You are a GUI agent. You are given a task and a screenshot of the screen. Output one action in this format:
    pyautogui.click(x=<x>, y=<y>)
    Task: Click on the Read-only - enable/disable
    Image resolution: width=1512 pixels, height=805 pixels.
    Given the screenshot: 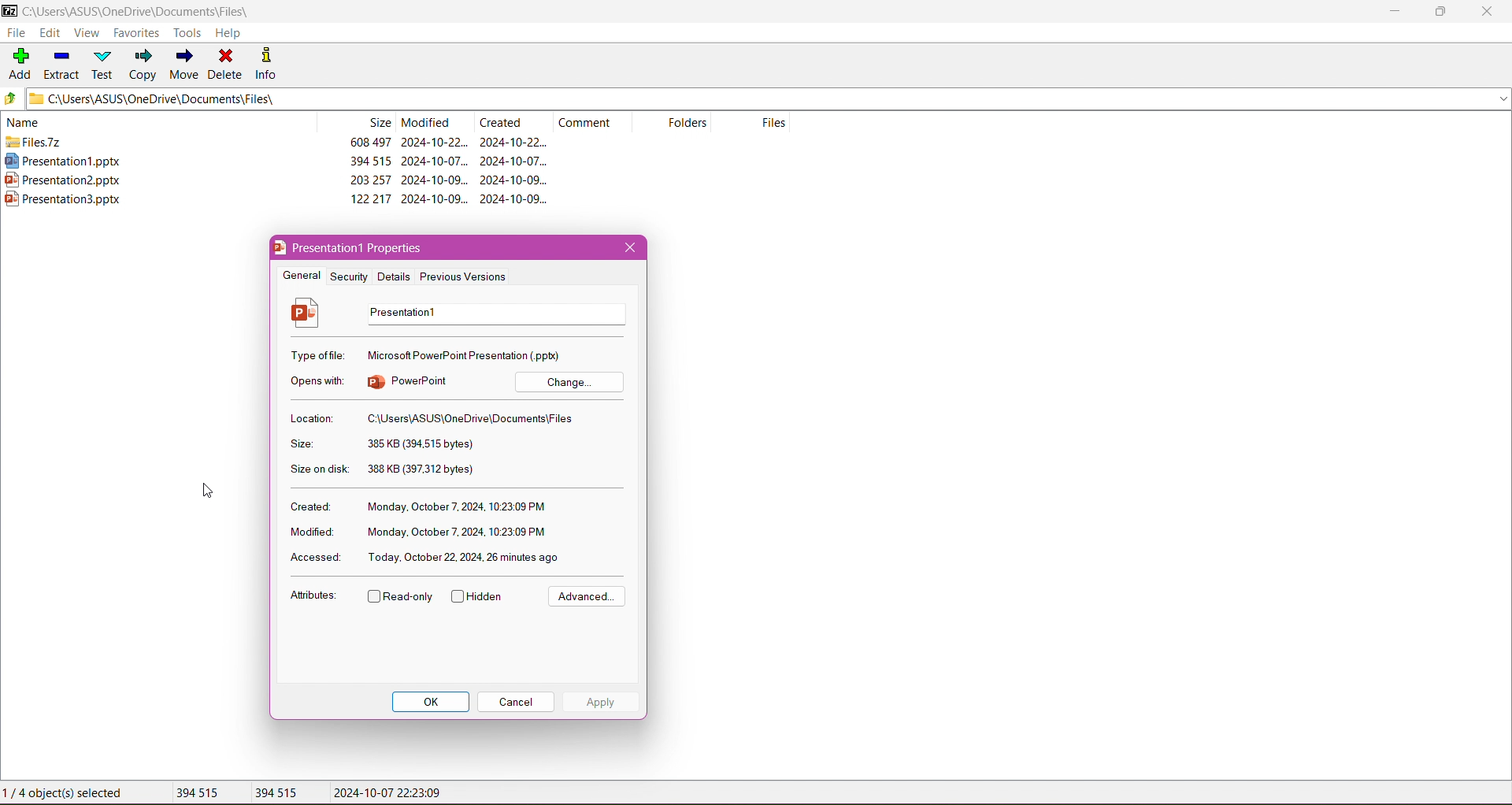 What is the action you would take?
    pyautogui.click(x=396, y=598)
    